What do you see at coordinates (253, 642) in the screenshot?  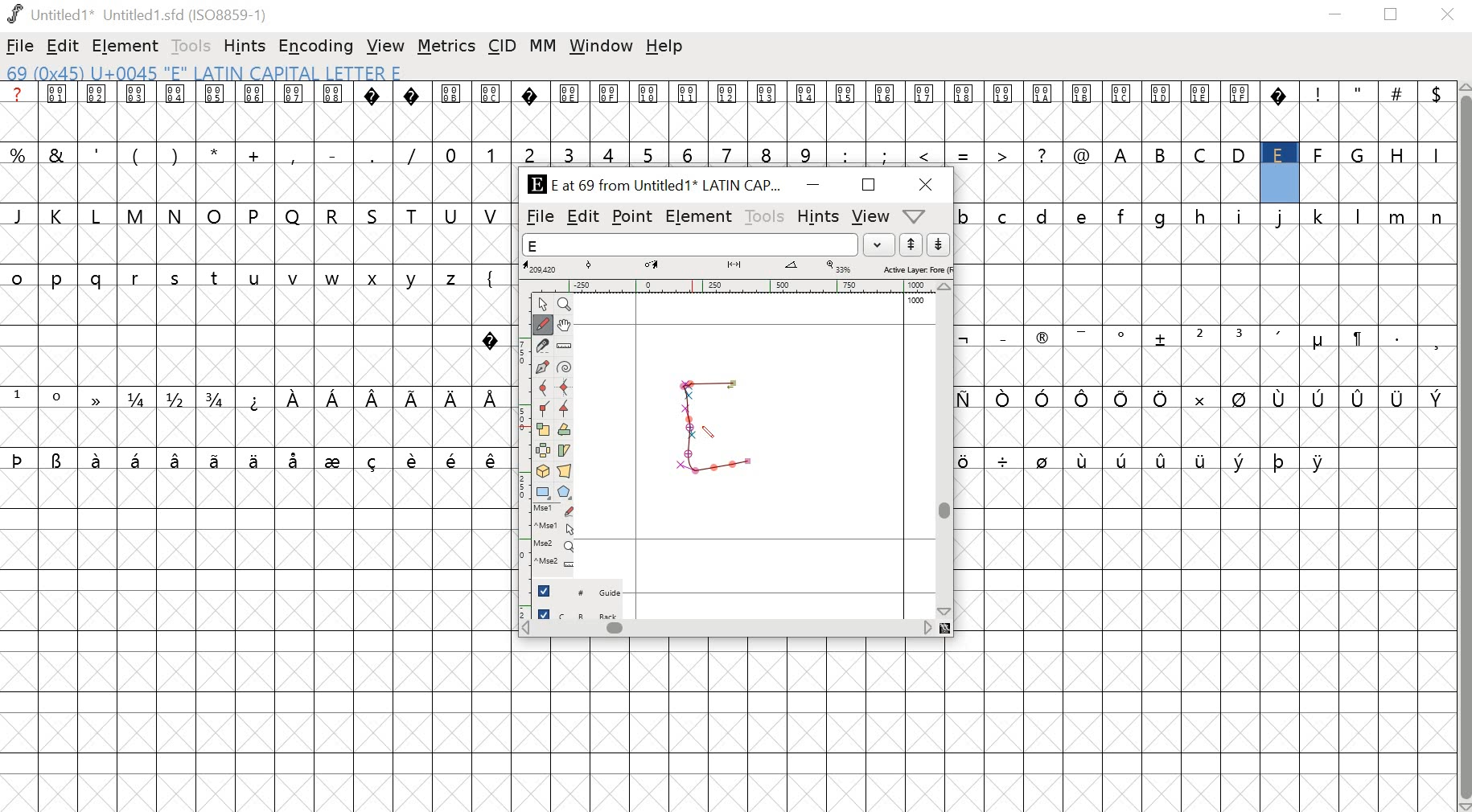 I see `empty cells` at bounding box center [253, 642].